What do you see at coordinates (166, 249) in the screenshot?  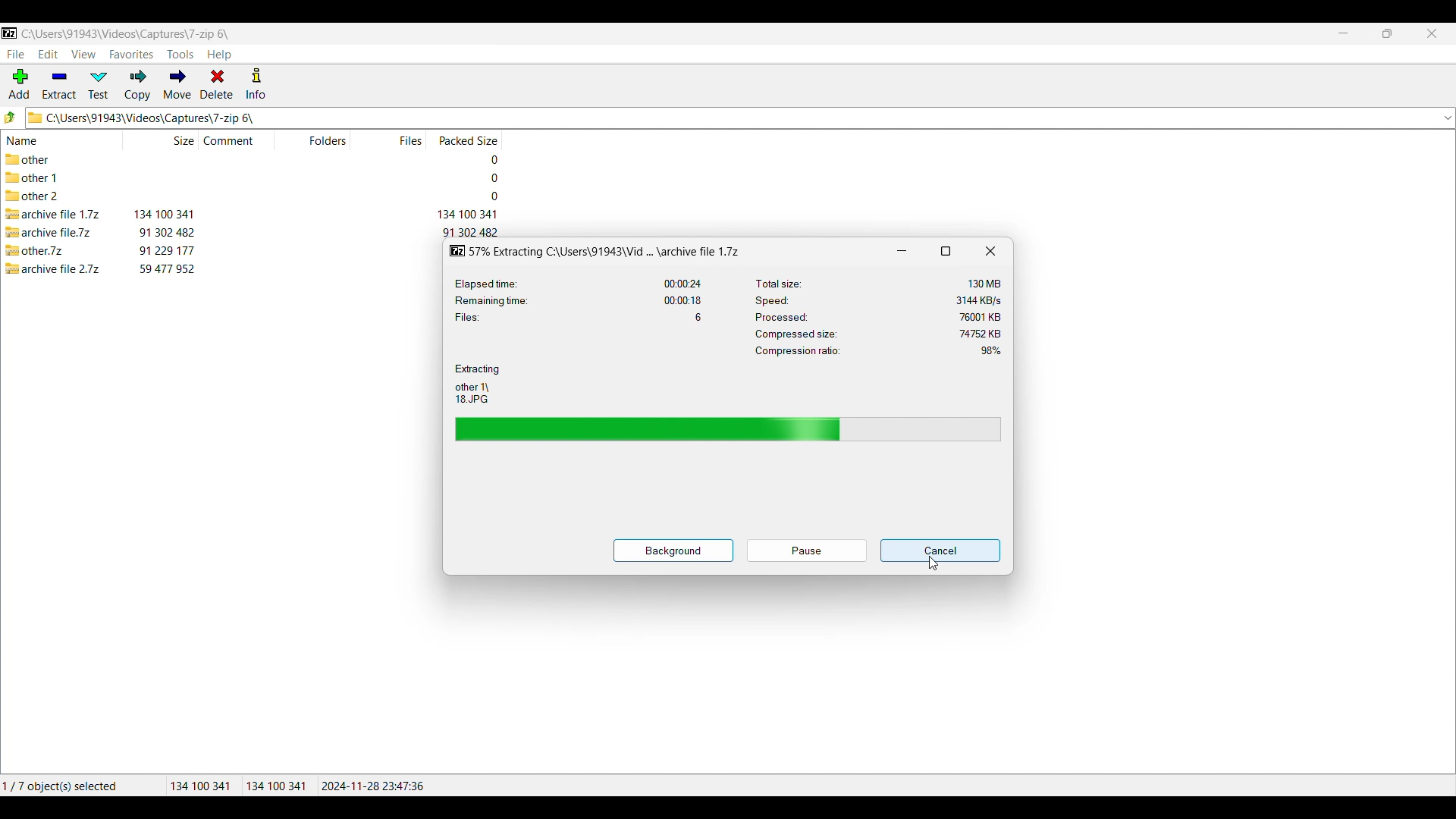 I see `size` at bounding box center [166, 249].